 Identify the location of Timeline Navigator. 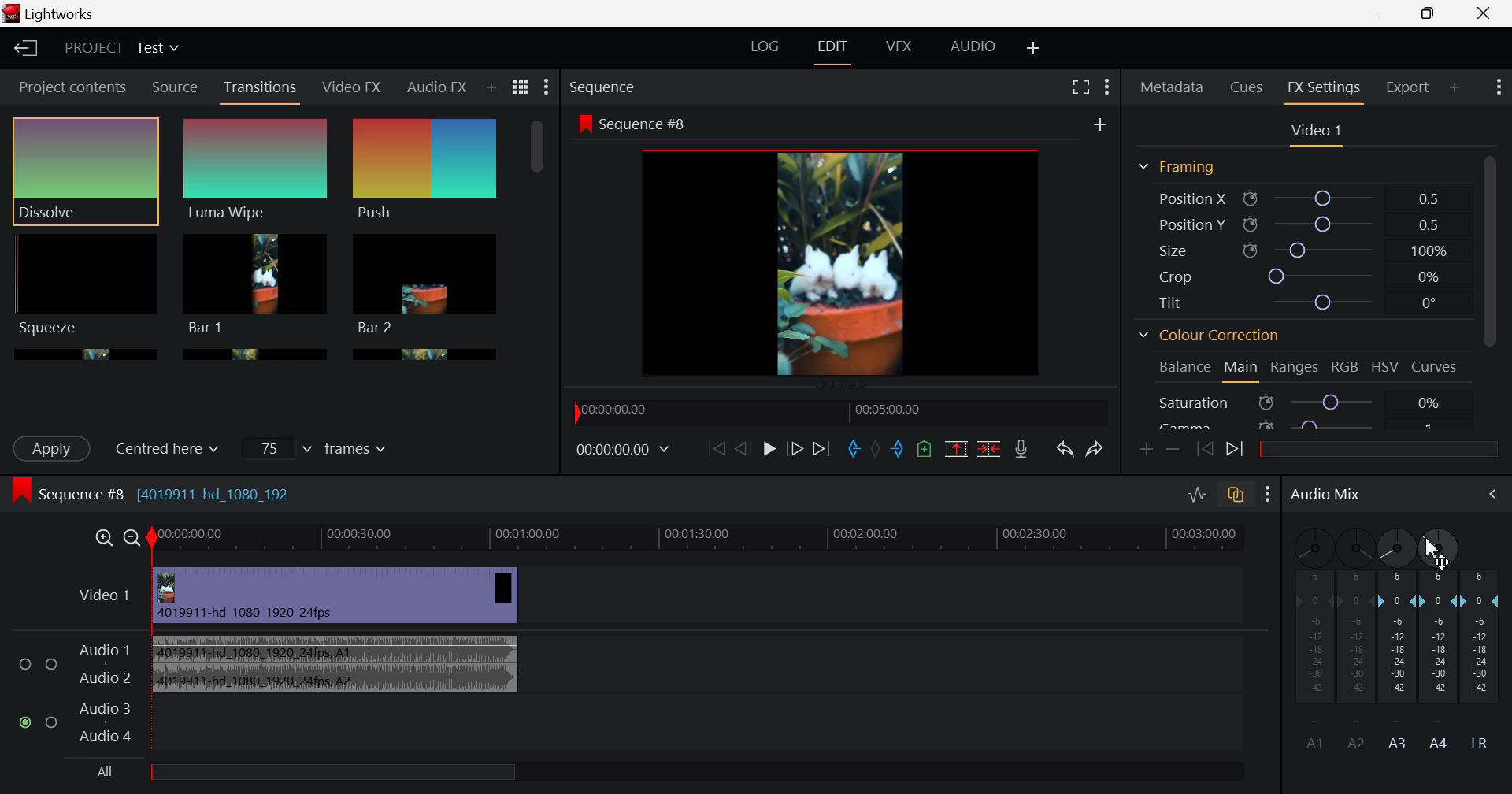
(841, 412).